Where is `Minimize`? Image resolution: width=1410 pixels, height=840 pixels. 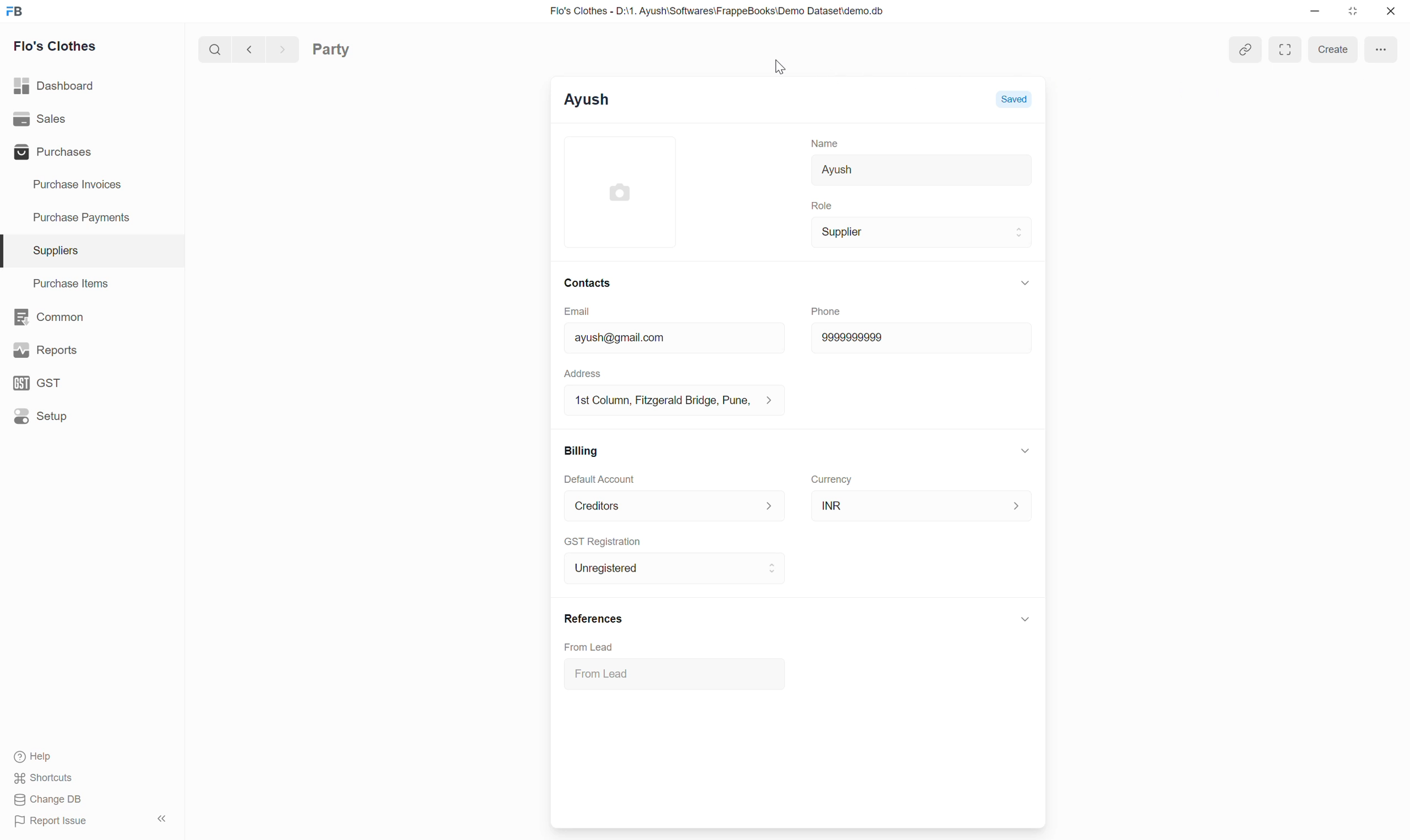 Minimize is located at coordinates (1315, 11).